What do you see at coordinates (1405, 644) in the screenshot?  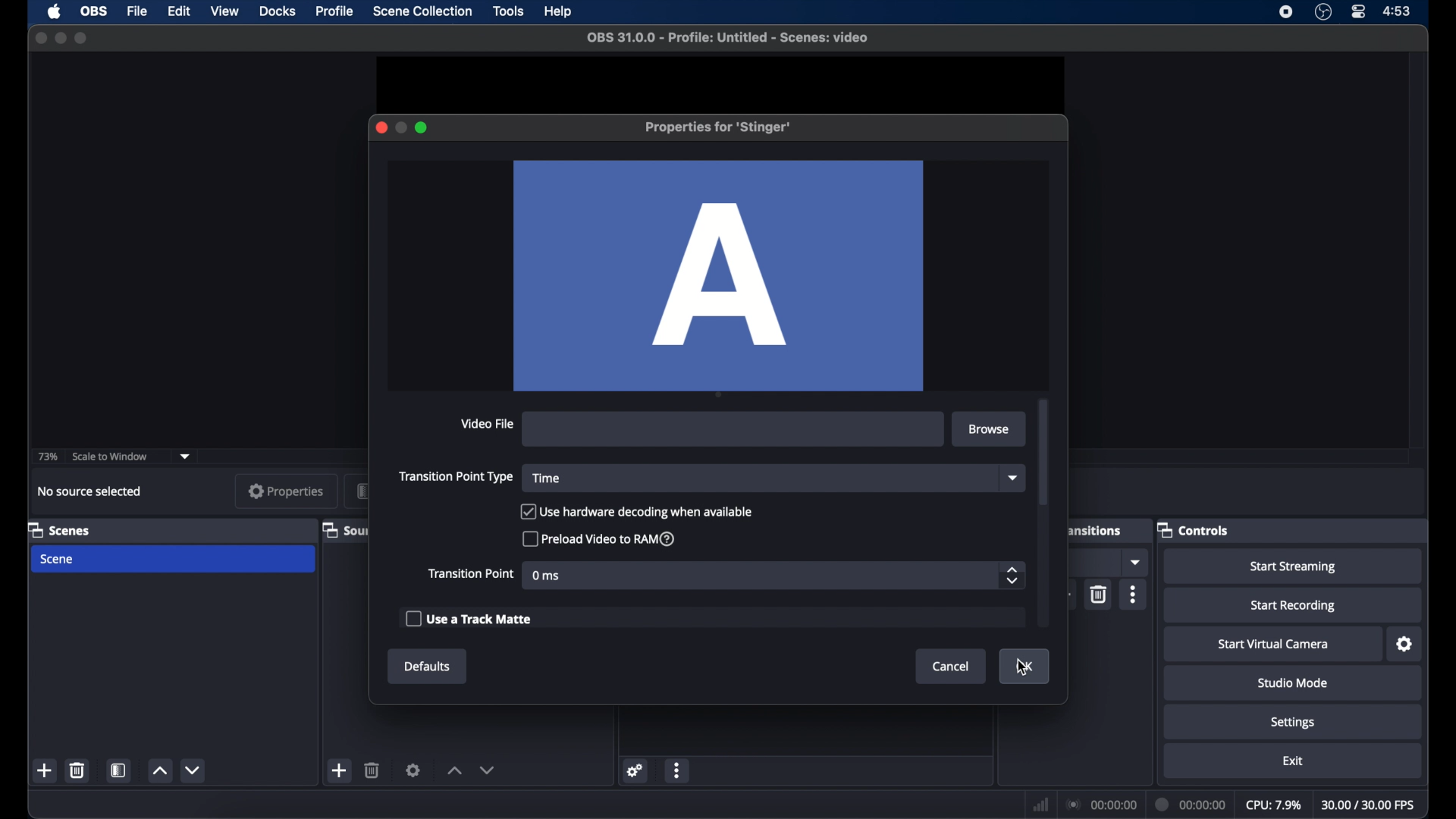 I see `settings` at bounding box center [1405, 644].